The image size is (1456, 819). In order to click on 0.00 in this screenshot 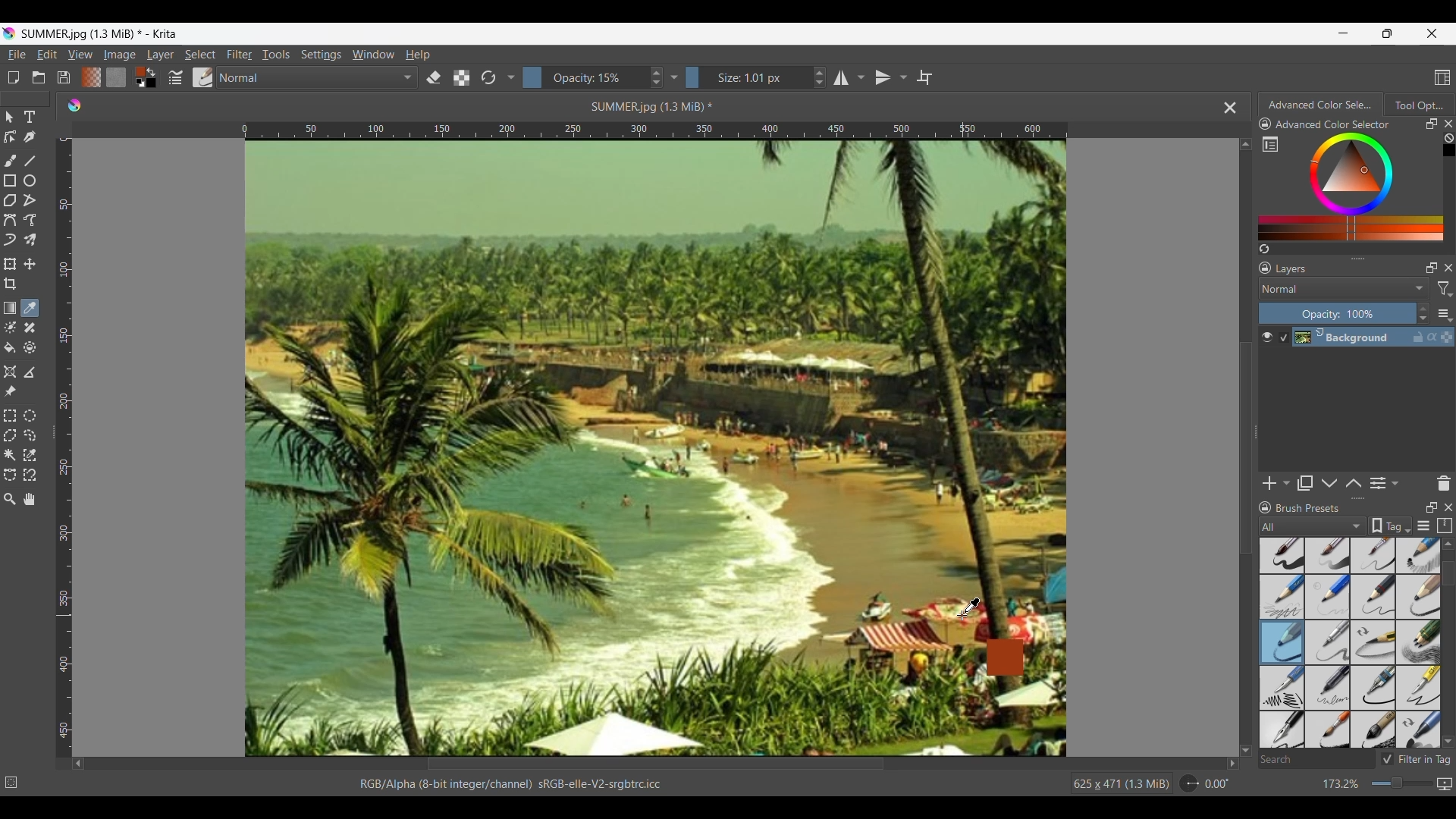, I will do `click(1217, 784)`.